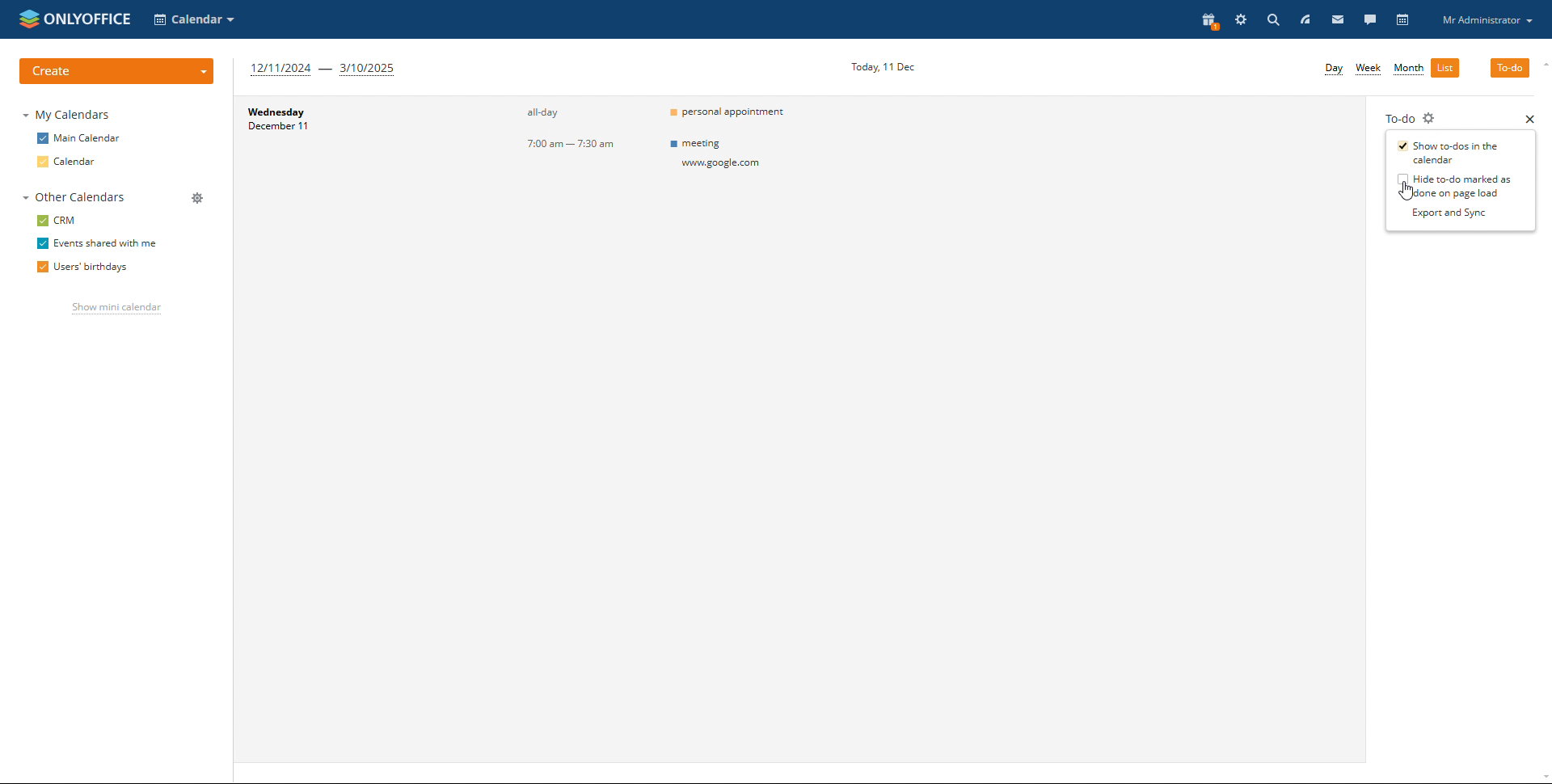  I want to click on to-do selected, so click(1510, 67).